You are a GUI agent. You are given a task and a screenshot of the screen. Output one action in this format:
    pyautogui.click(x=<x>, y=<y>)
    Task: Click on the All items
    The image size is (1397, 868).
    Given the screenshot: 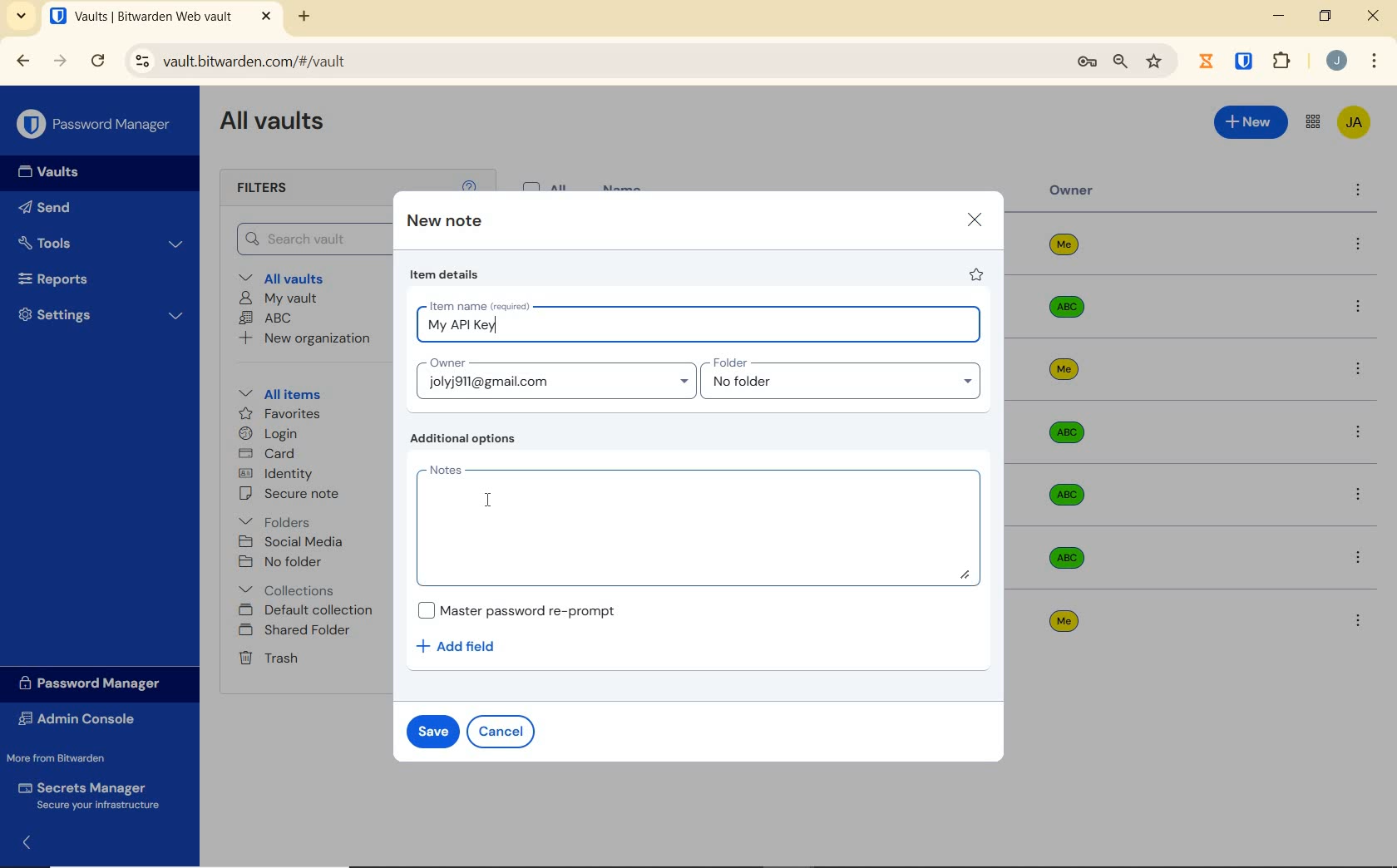 What is the action you would take?
    pyautogui.click(x=292, y=394)
    